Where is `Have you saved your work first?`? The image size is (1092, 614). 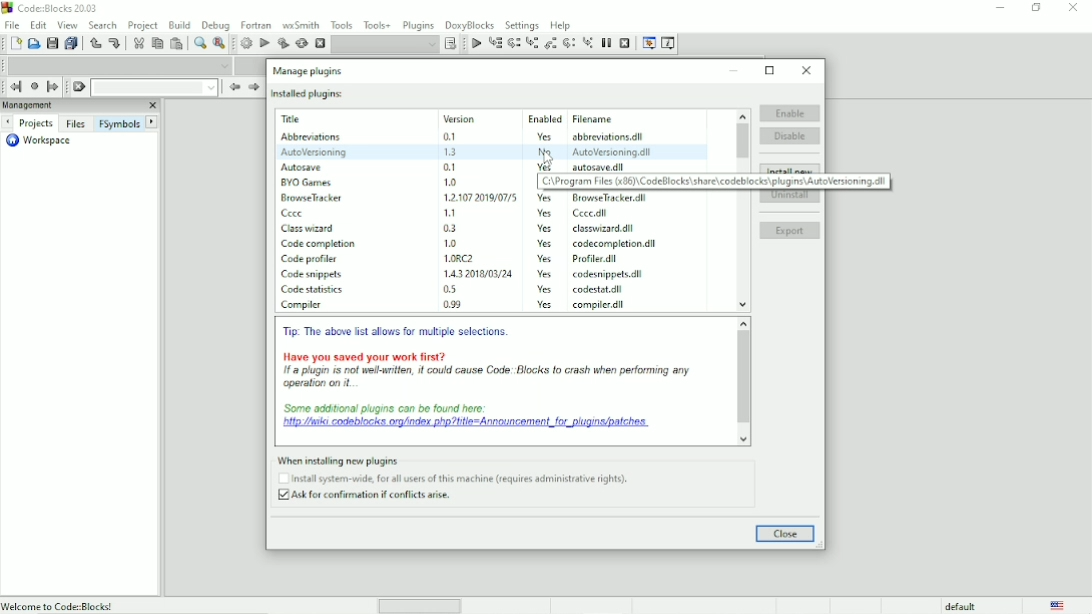
Have you saved your work first? is located at coordinates (494, 369).